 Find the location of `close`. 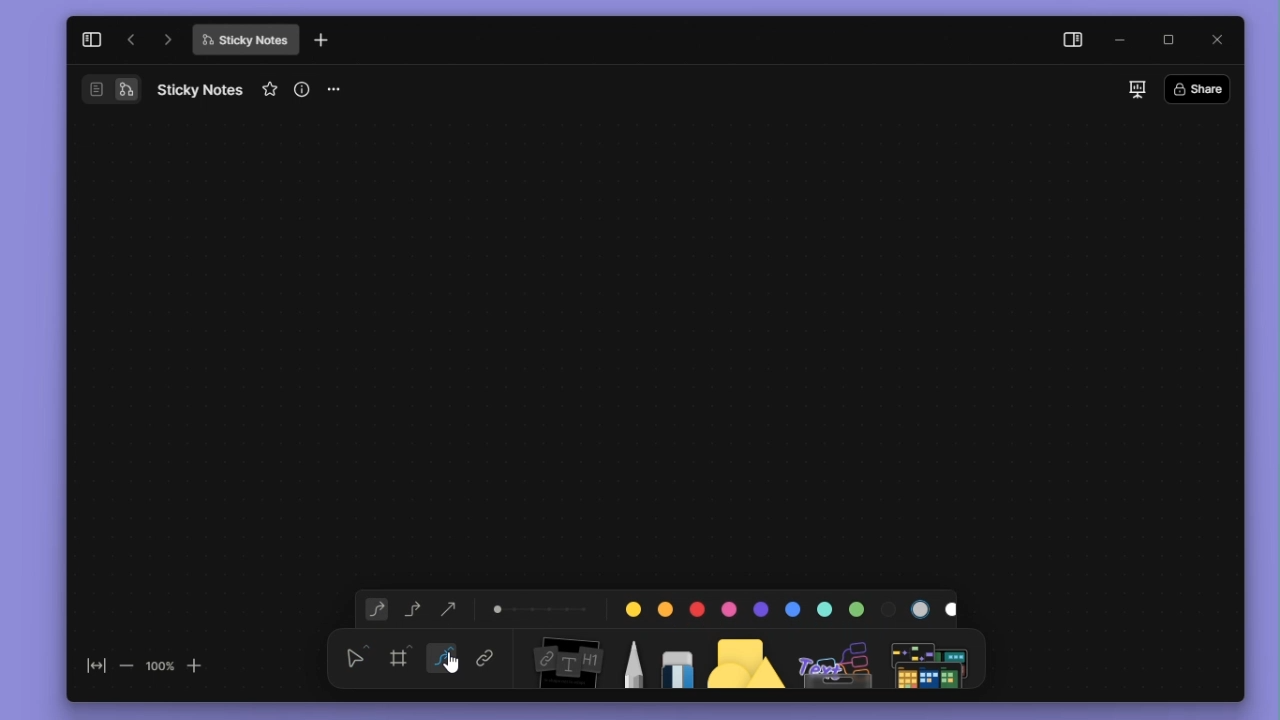

close is located at coordinates (1223, 40).